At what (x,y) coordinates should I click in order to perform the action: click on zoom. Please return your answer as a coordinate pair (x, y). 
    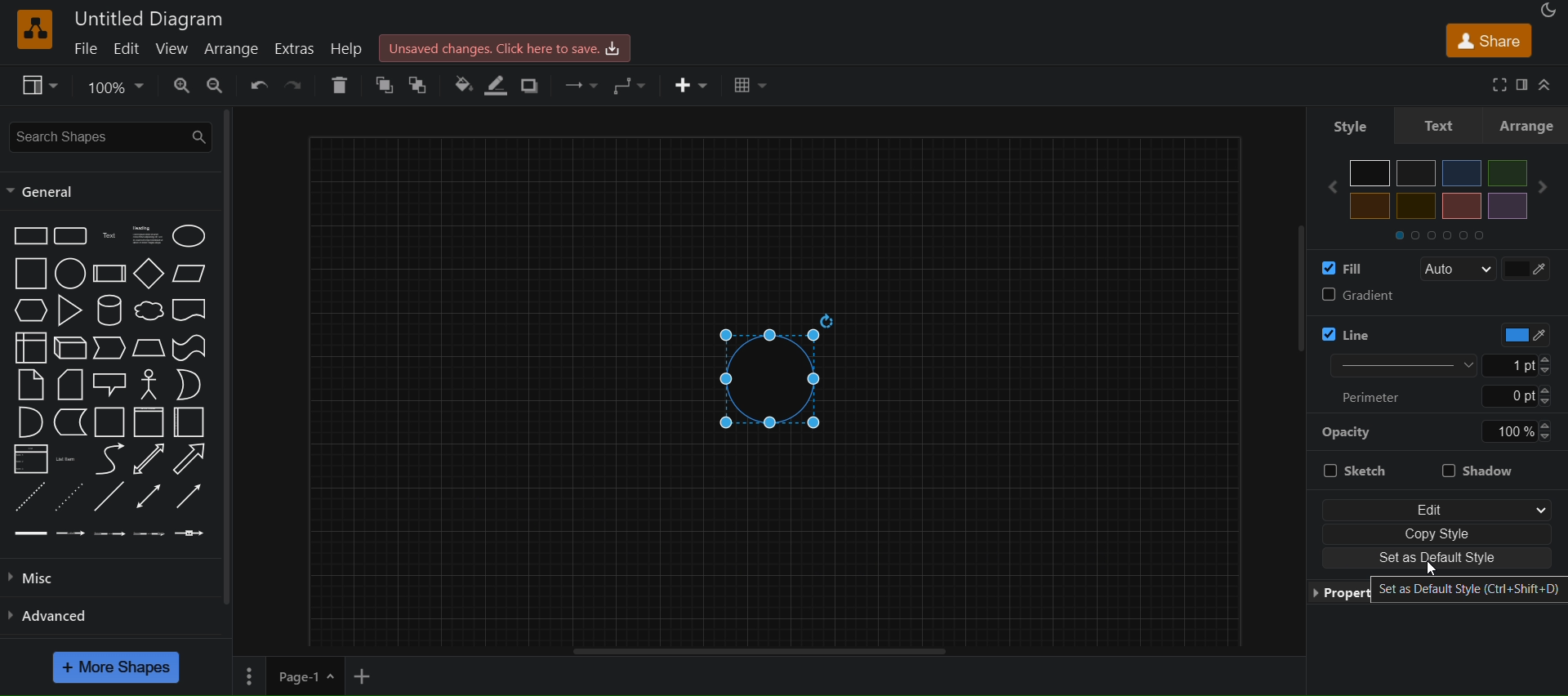
    Looking at the image, I should click on (118, 85).